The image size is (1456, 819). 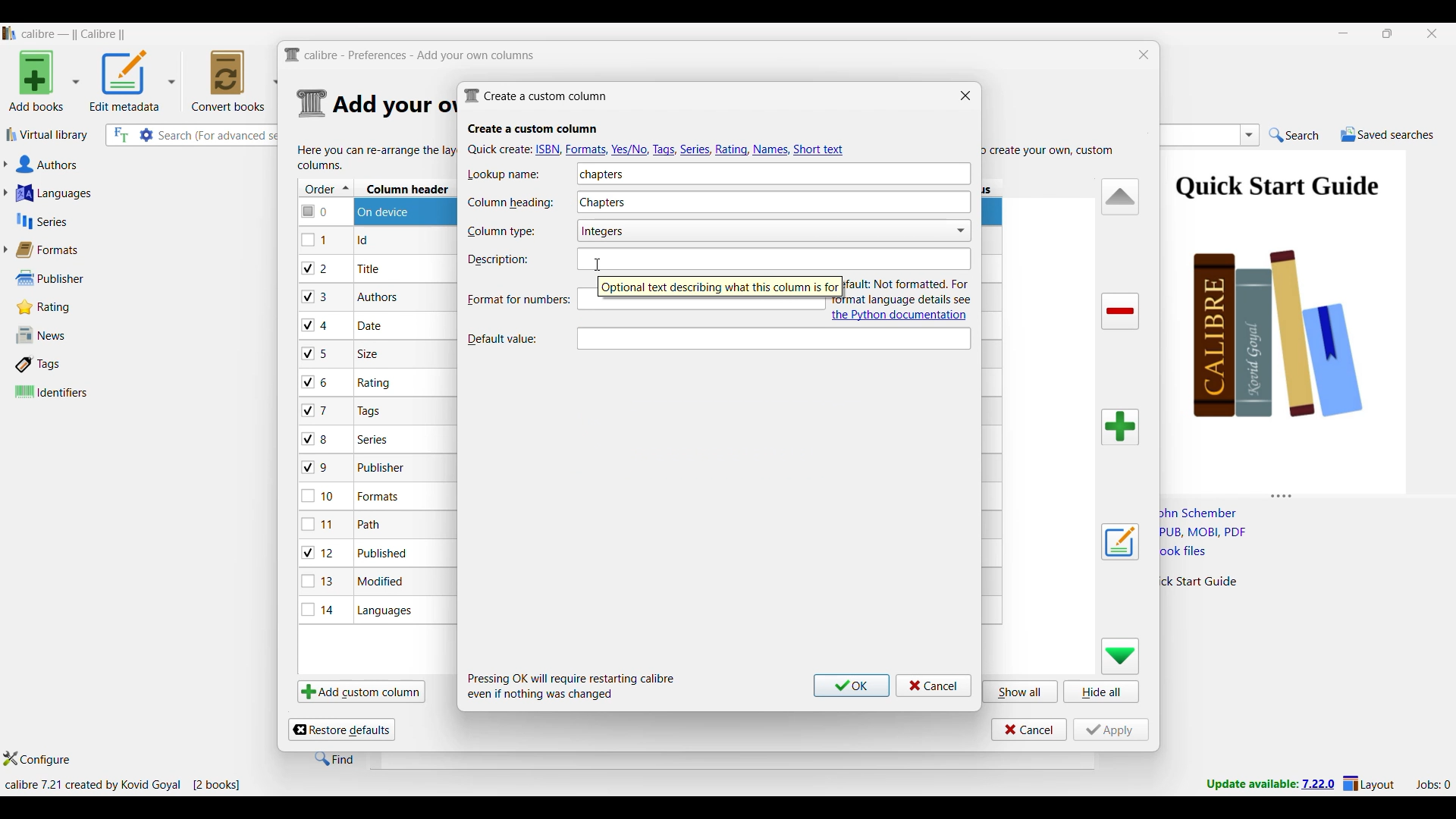 I want to click on Description of current selection by cursor, so click(x=715, y=287).